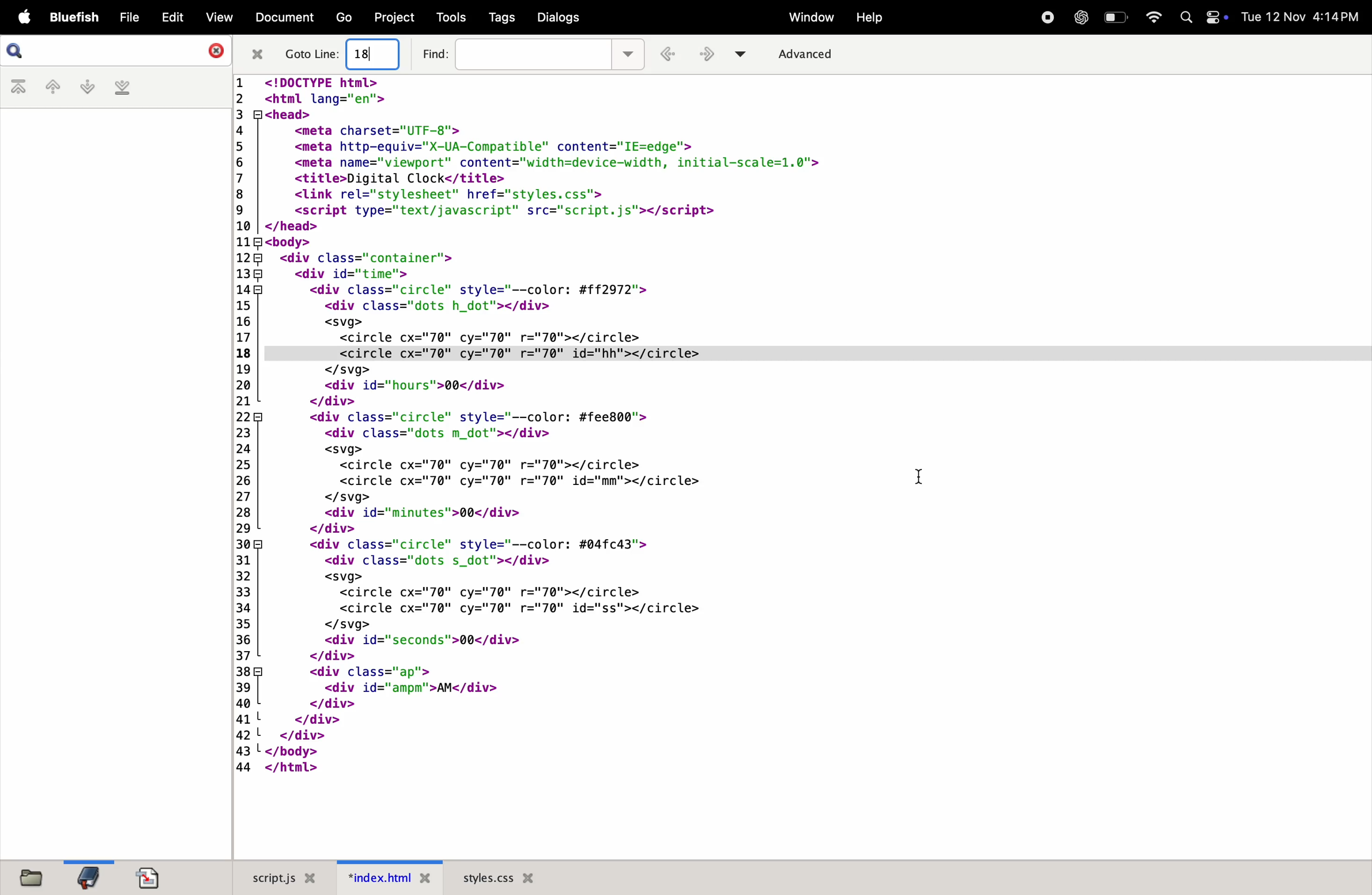 Image resolution: width=1372 pixels, height=895 pixels. I want to click on tools, so click(450, 17).